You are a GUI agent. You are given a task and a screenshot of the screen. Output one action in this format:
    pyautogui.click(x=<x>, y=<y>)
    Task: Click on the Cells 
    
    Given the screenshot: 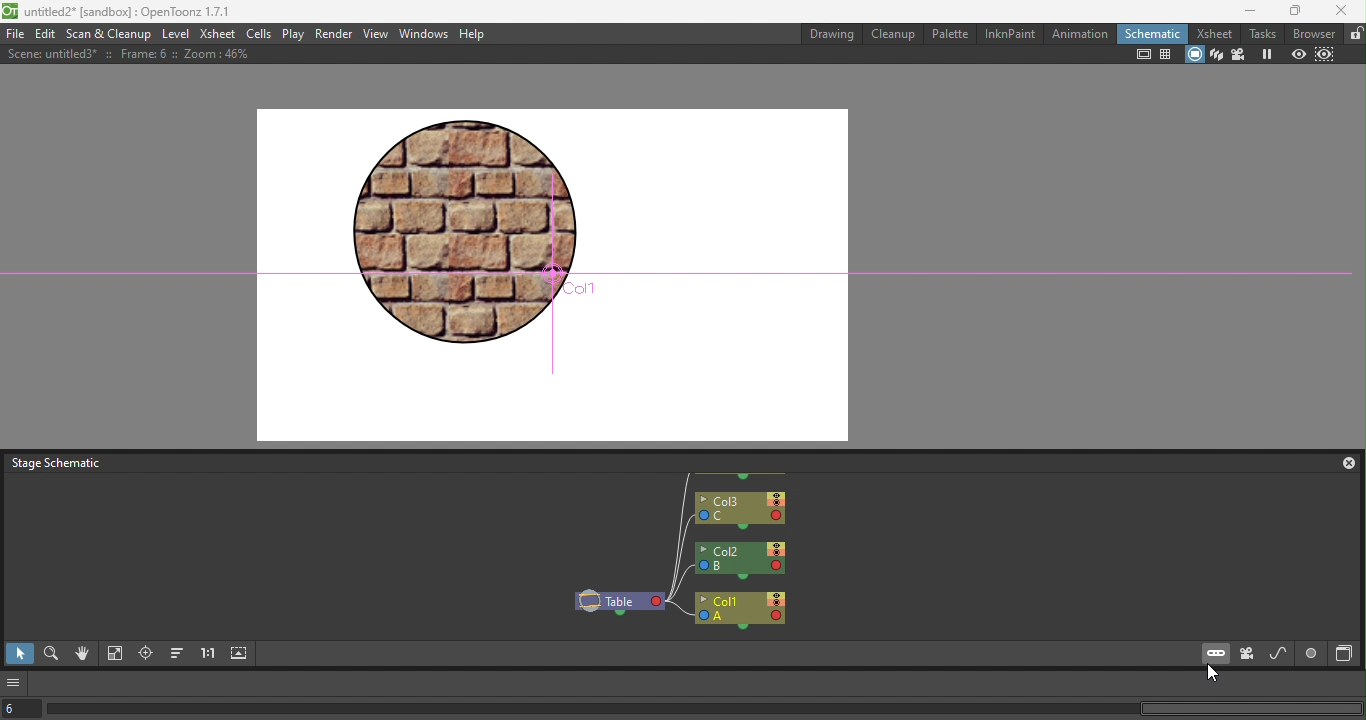 What is the action you would take?
    pyautogui.click(x=257, y=35)
    